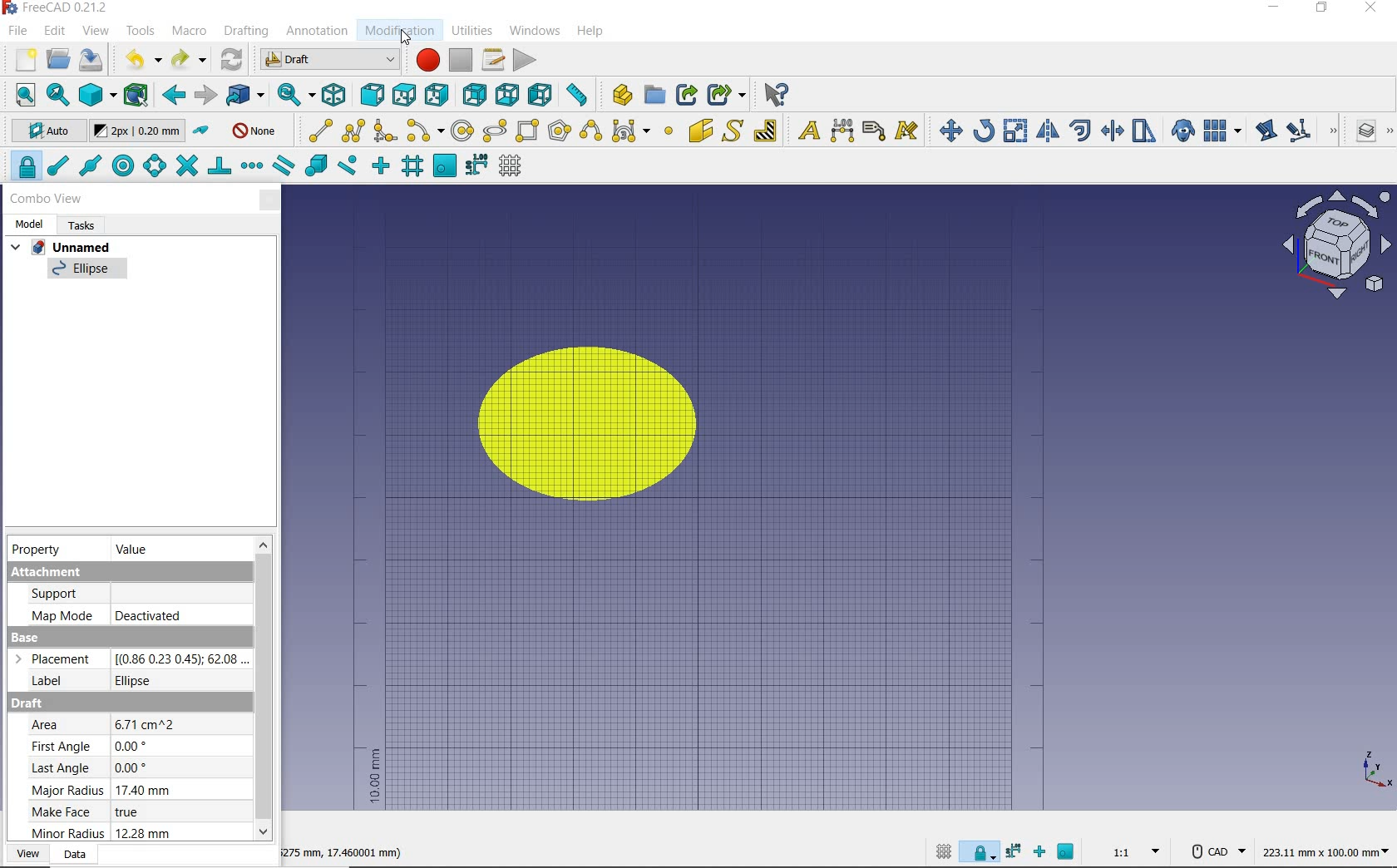 The width and height of the screenshot is (1397, 868). What do you see at coordinates (874, 131) in the screenshot?
I see `label` at bounding box center [874, 131].